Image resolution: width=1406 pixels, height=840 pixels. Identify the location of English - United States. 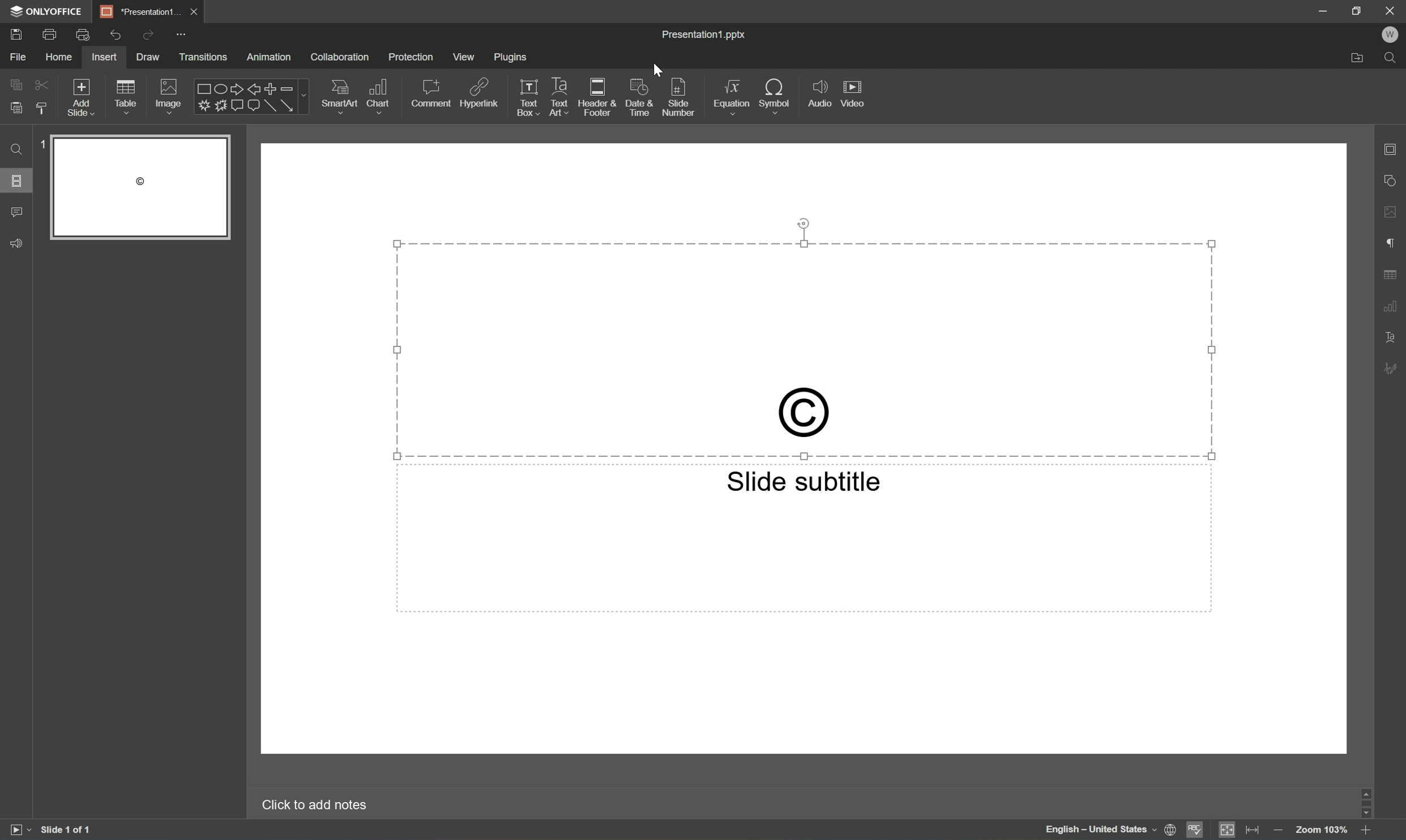
(1097, 830).